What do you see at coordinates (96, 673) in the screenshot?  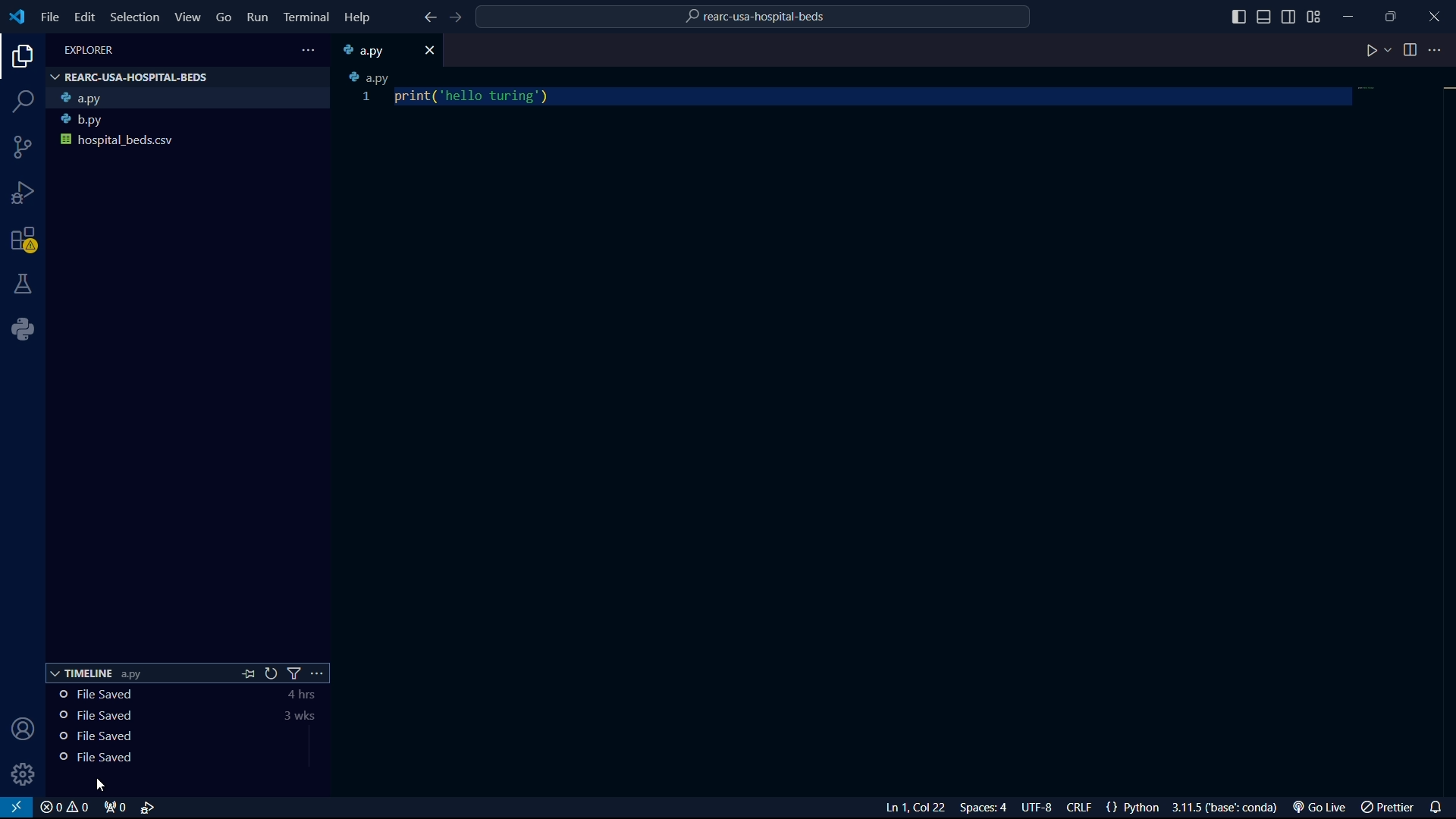 I see `timeline panel` at bounding box center [96, 673].